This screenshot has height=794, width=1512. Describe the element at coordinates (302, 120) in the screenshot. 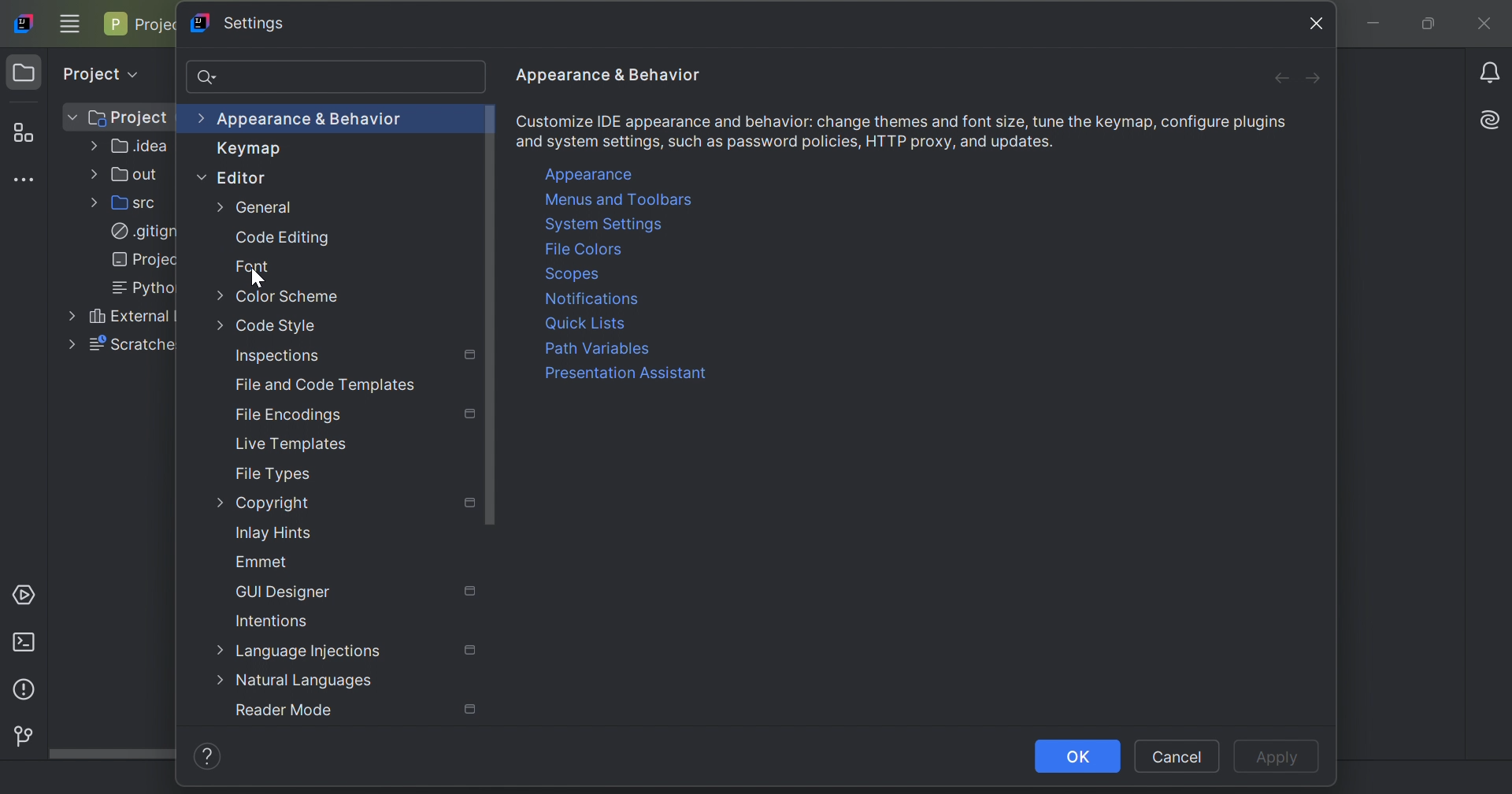

I see `Appearance & Behavior` at that location.